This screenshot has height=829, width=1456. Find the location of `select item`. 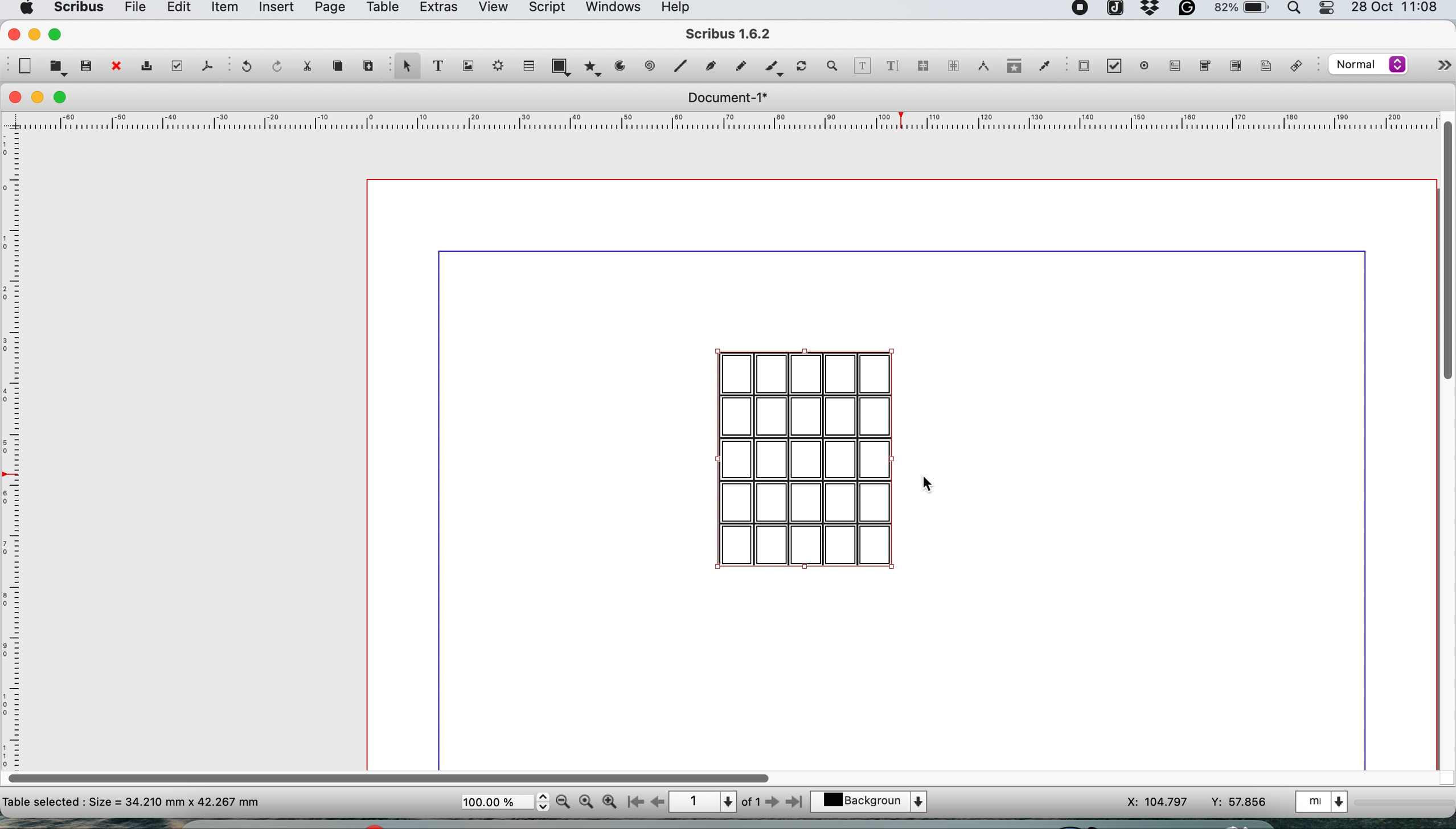

select item is located at coordinates (405, 67).